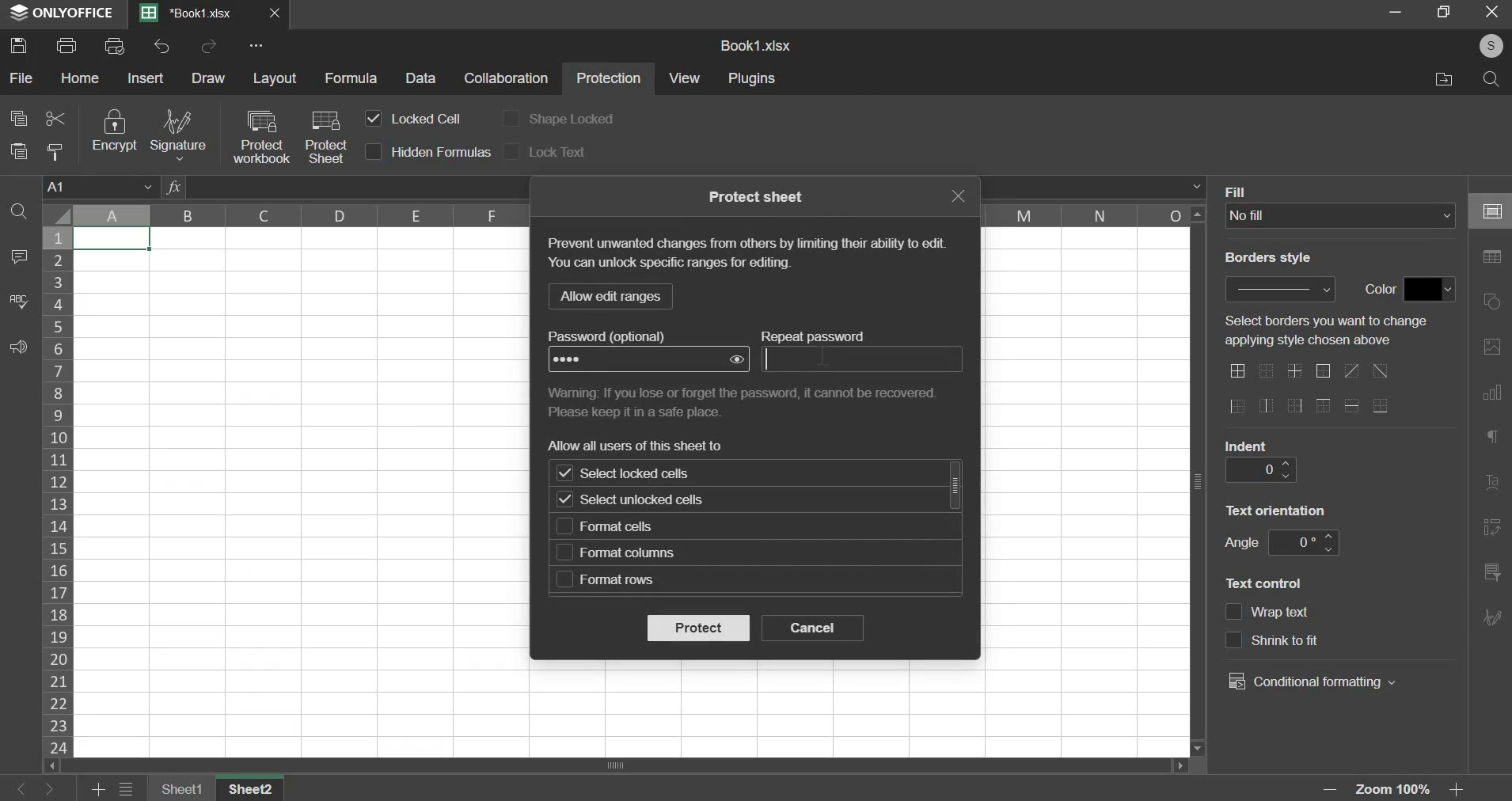 This screenshot has width=1512, height=801. I want to click on border options, so click(1382, 371).